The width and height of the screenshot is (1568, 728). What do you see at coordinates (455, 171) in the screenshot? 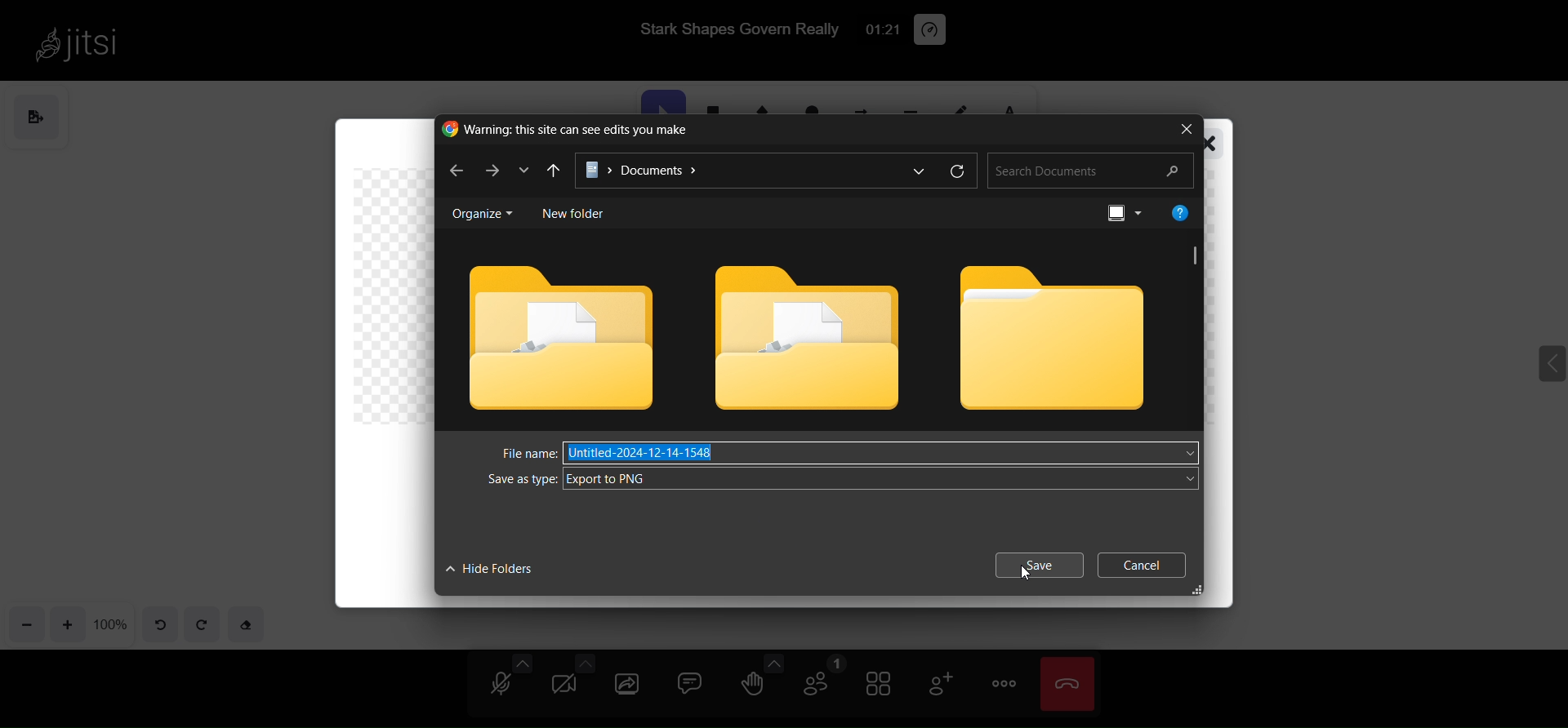
I see `back` at bounding box center [455, 171].